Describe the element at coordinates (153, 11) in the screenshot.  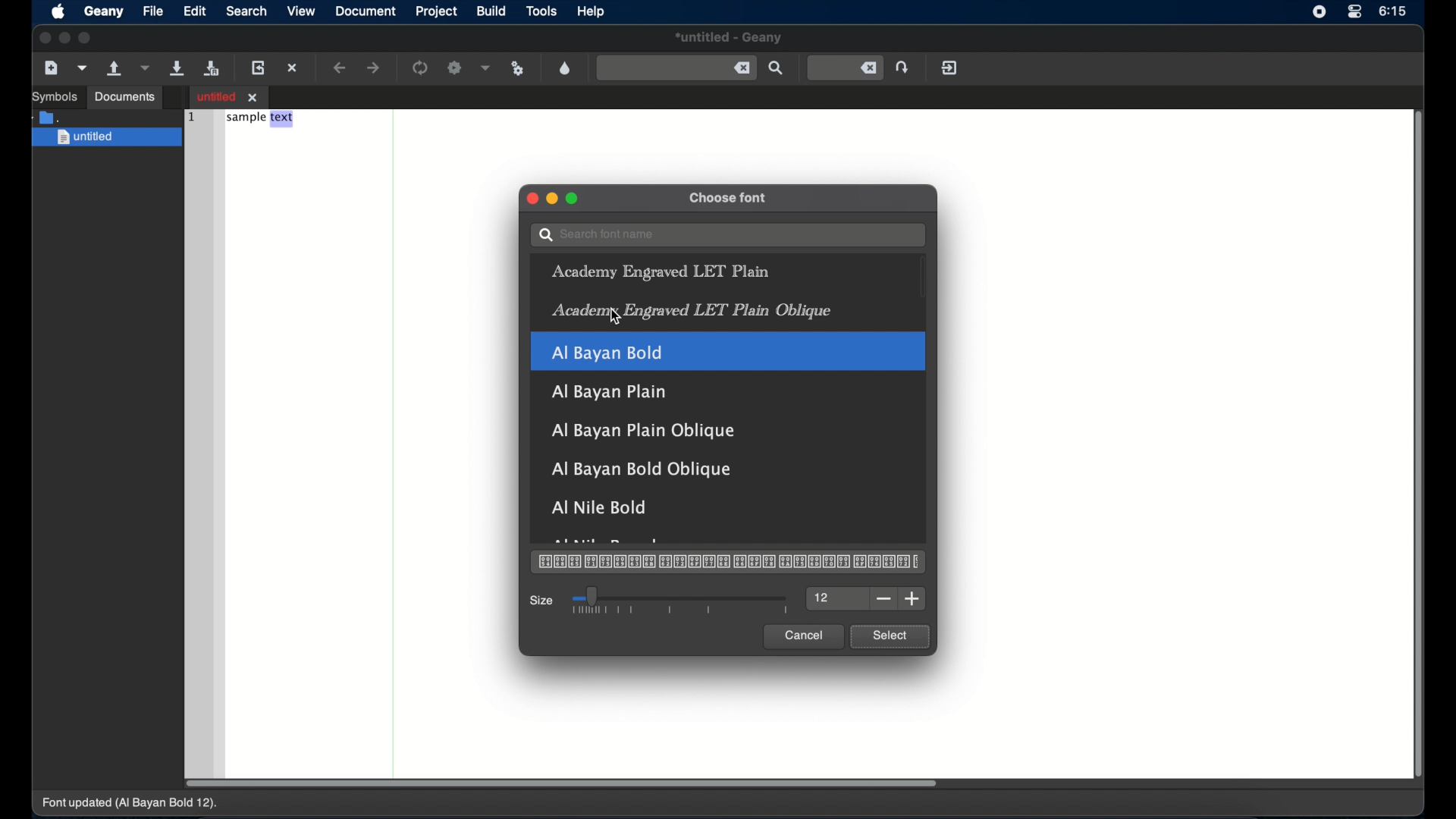
I see `file` at that location.